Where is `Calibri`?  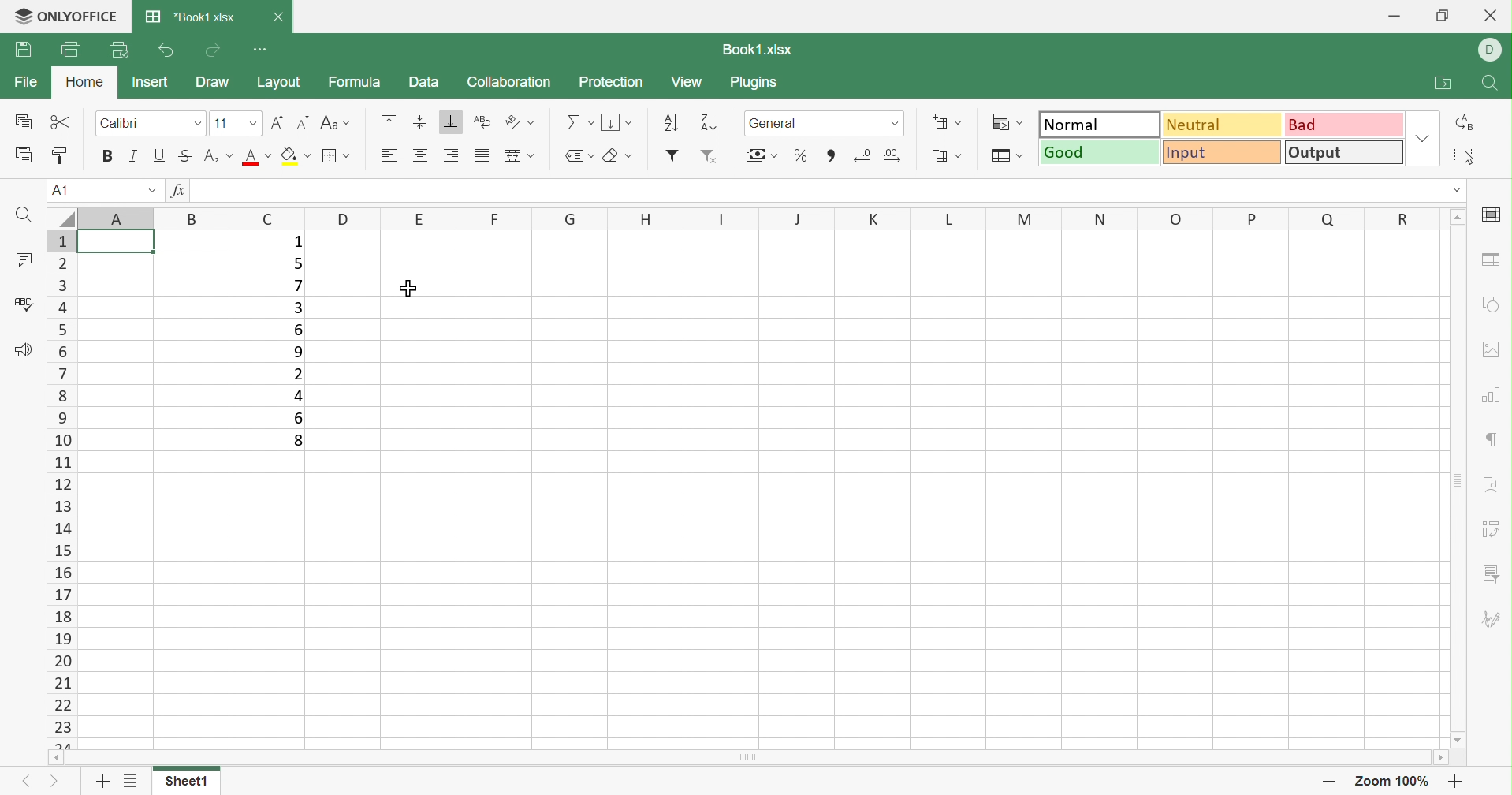
Calibri is located at coordinates (121, 125).